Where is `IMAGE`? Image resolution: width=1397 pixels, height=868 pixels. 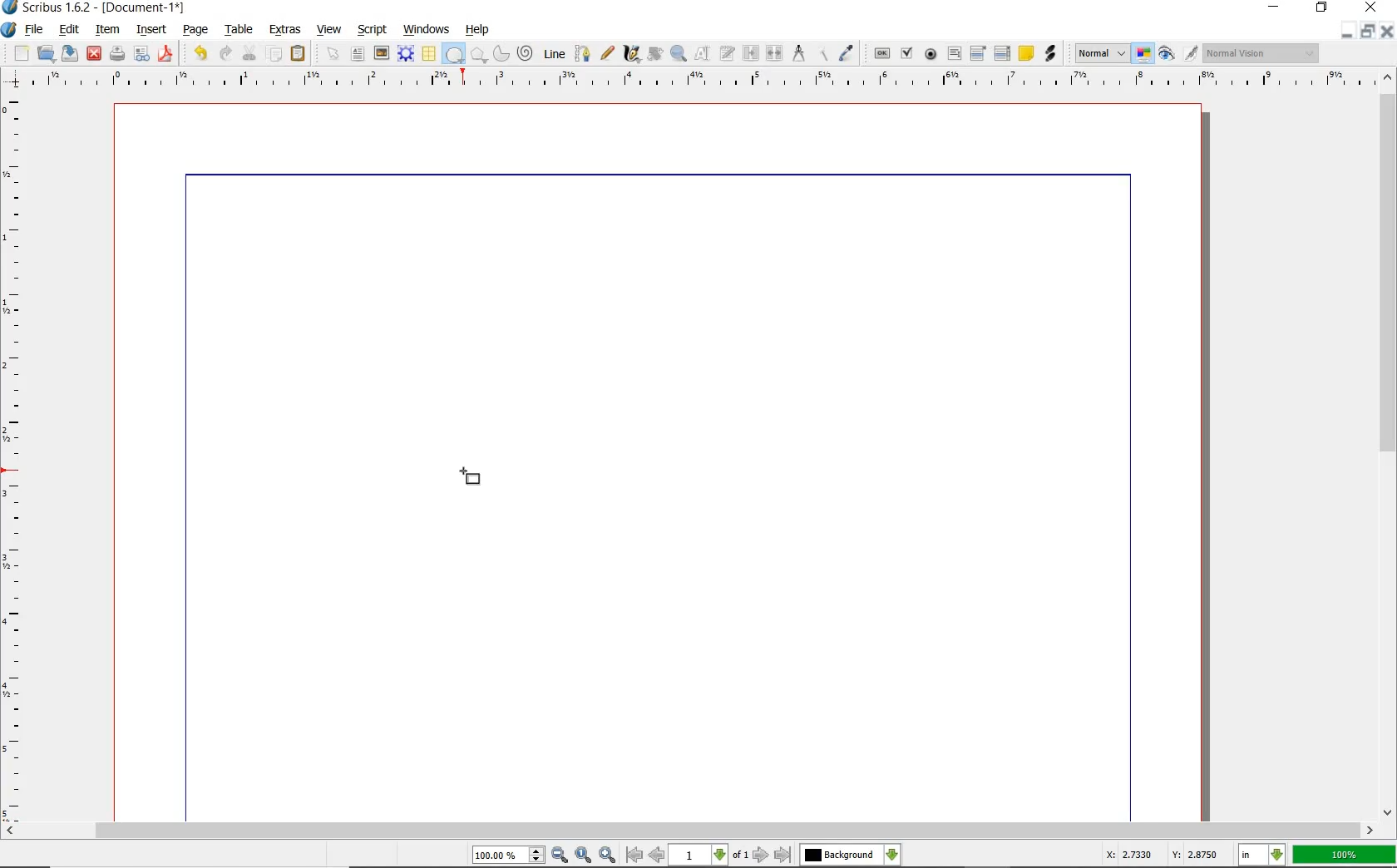
IMAGE is located at coordinates (381, 52).